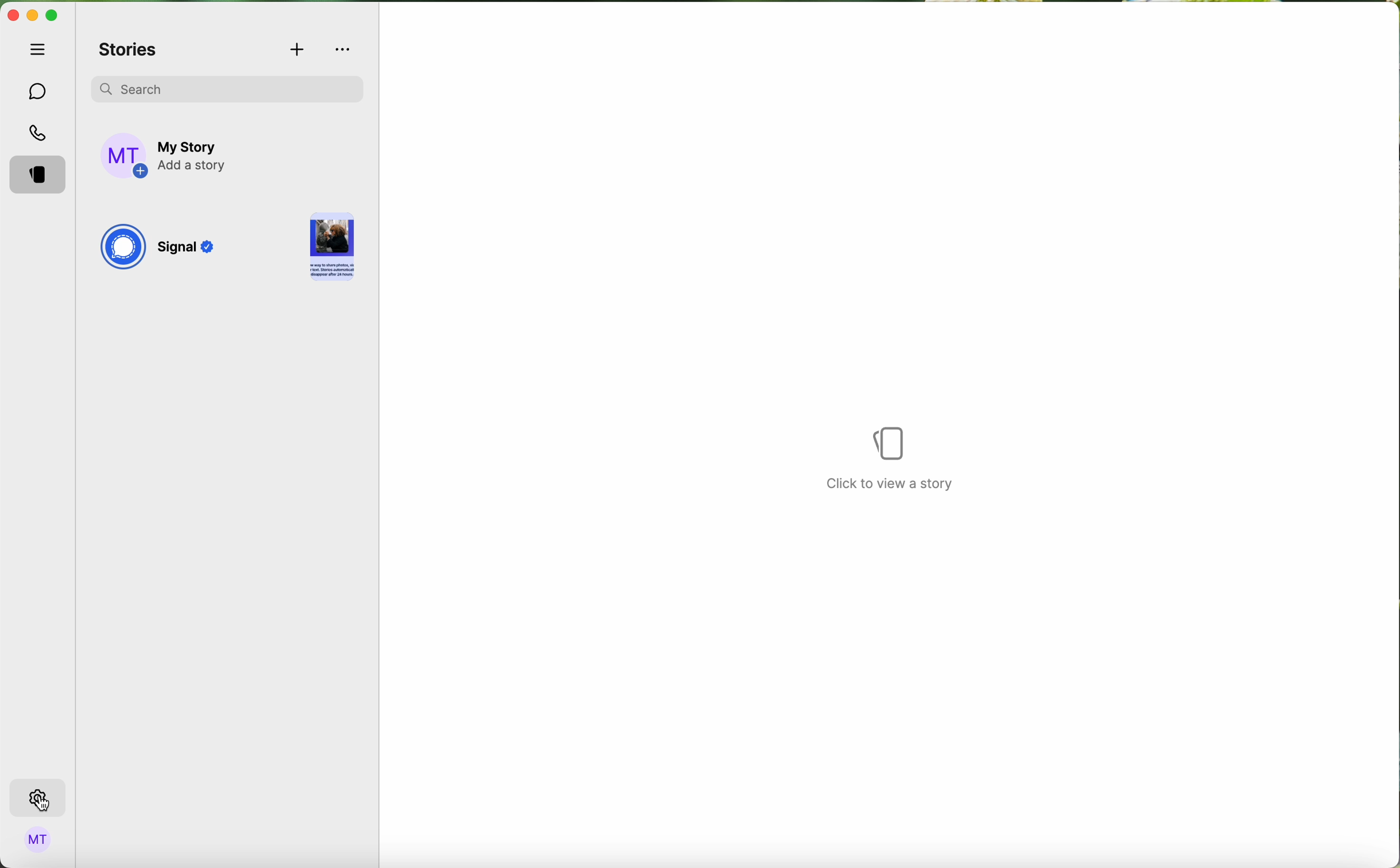  Describe the element at coordinates (38, 842) in the screenshot. I see `profile` at that location.